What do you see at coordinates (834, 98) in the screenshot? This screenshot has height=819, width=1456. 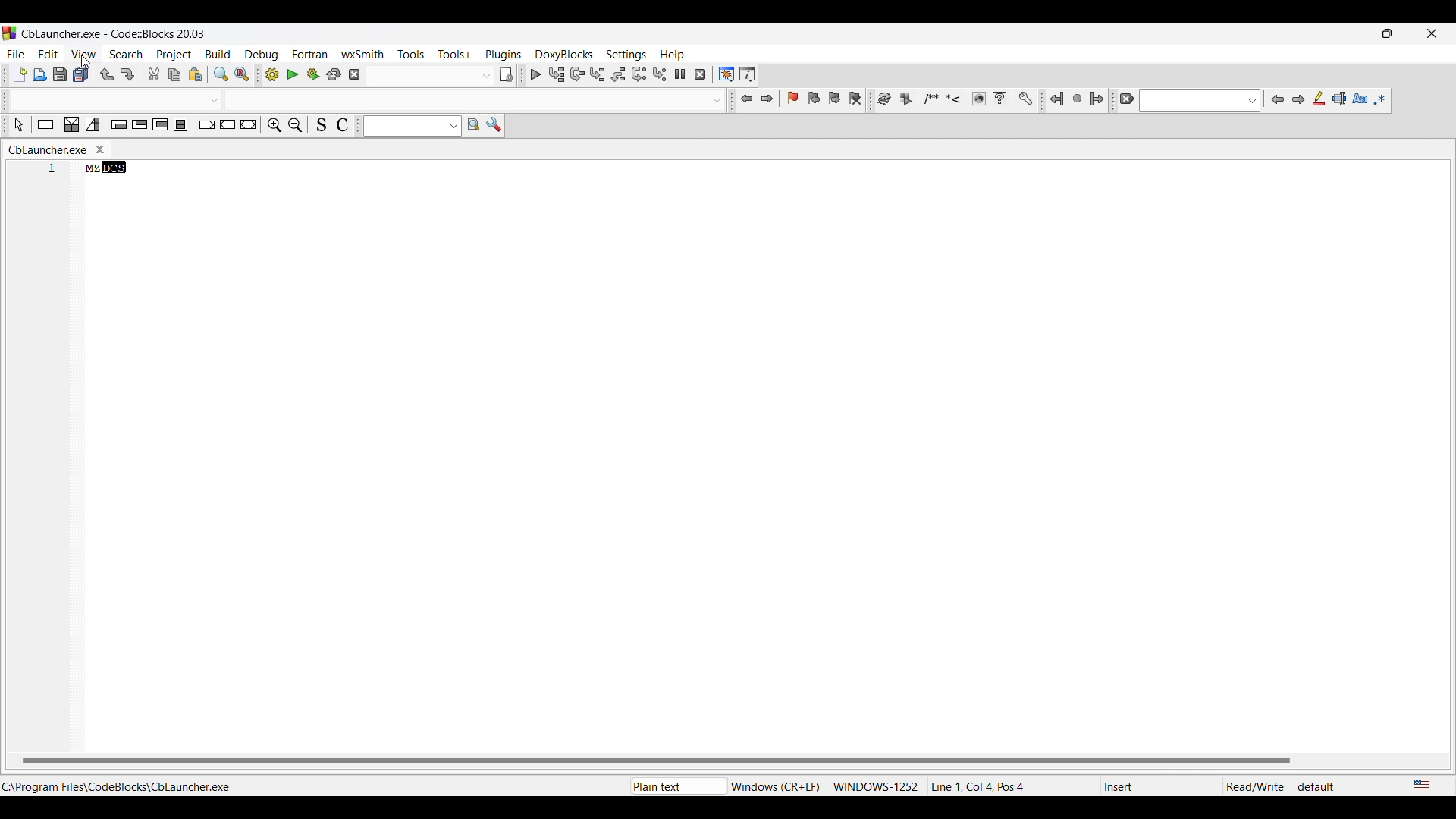 I see `Next bookmark` at bounding box center [834, 98].